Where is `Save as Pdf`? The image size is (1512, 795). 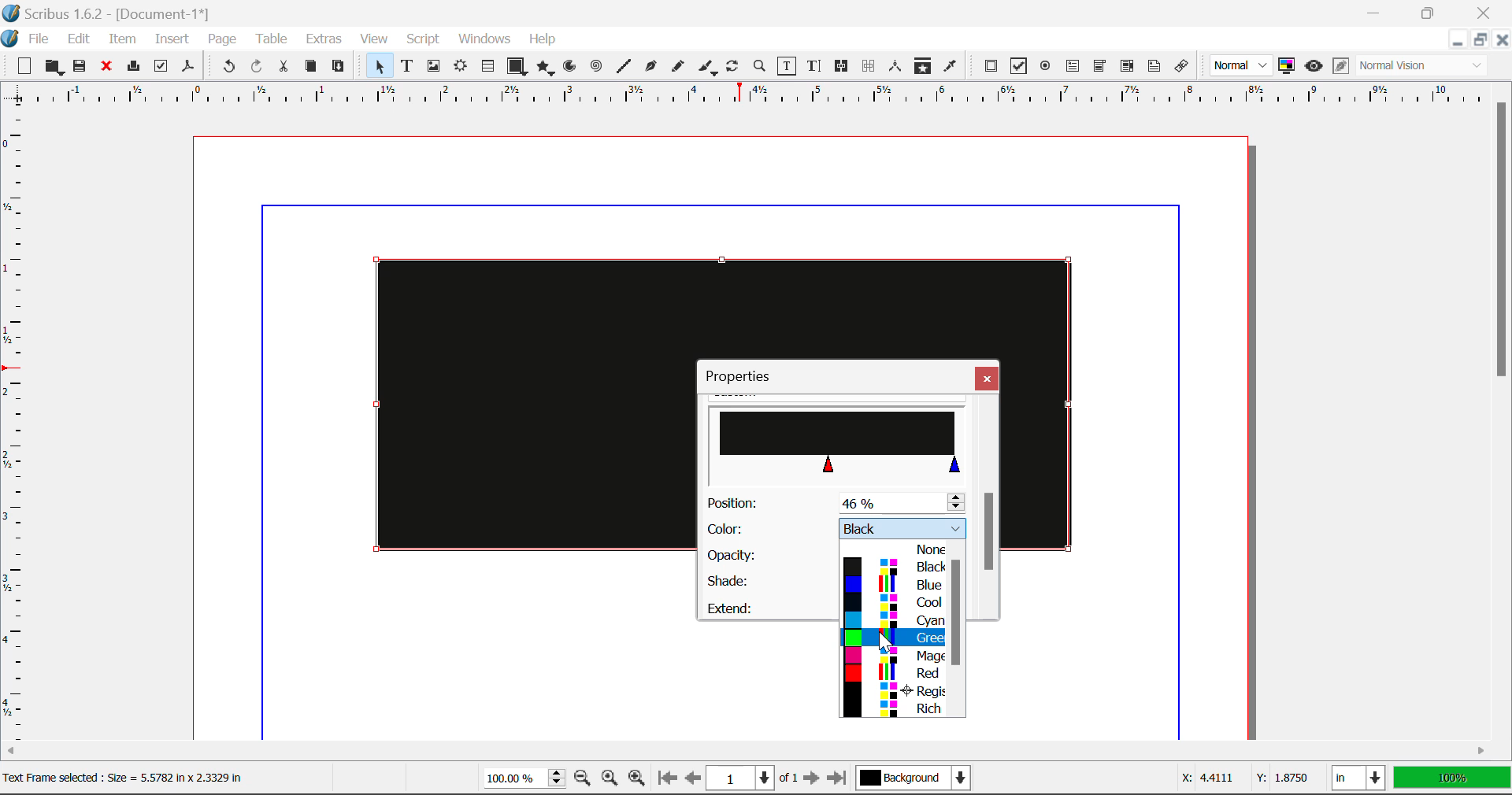
Save as Pdf is located at coordinates (188, 68).